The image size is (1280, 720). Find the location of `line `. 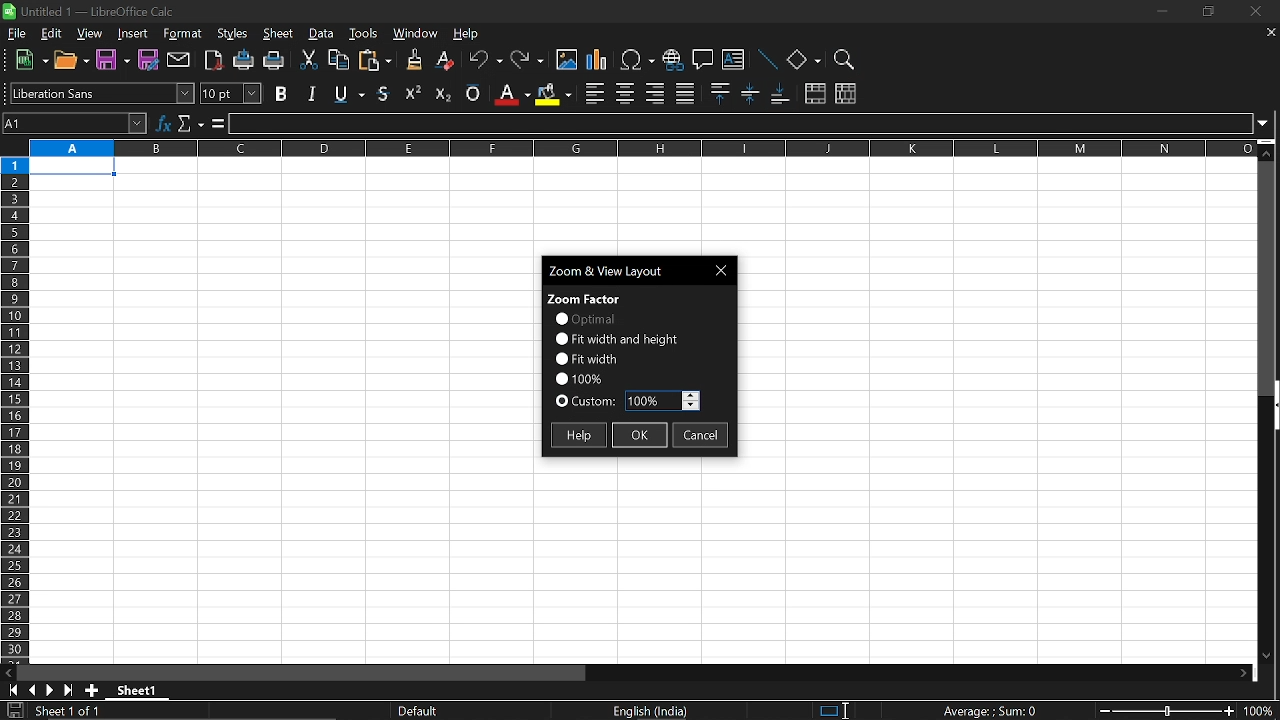

line  is located at coordinates (766, 61).